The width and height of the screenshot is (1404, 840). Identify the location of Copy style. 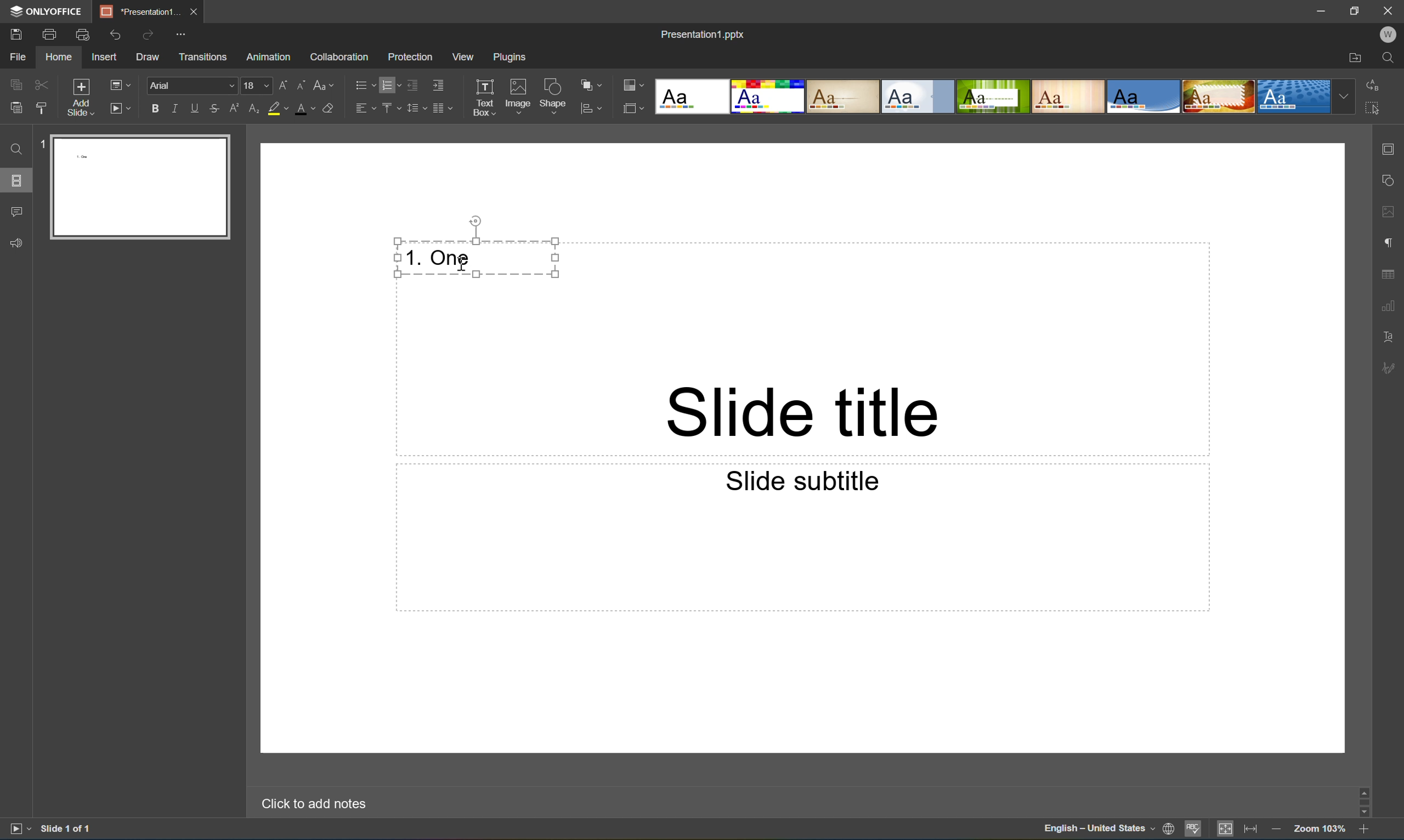
(42, 108).